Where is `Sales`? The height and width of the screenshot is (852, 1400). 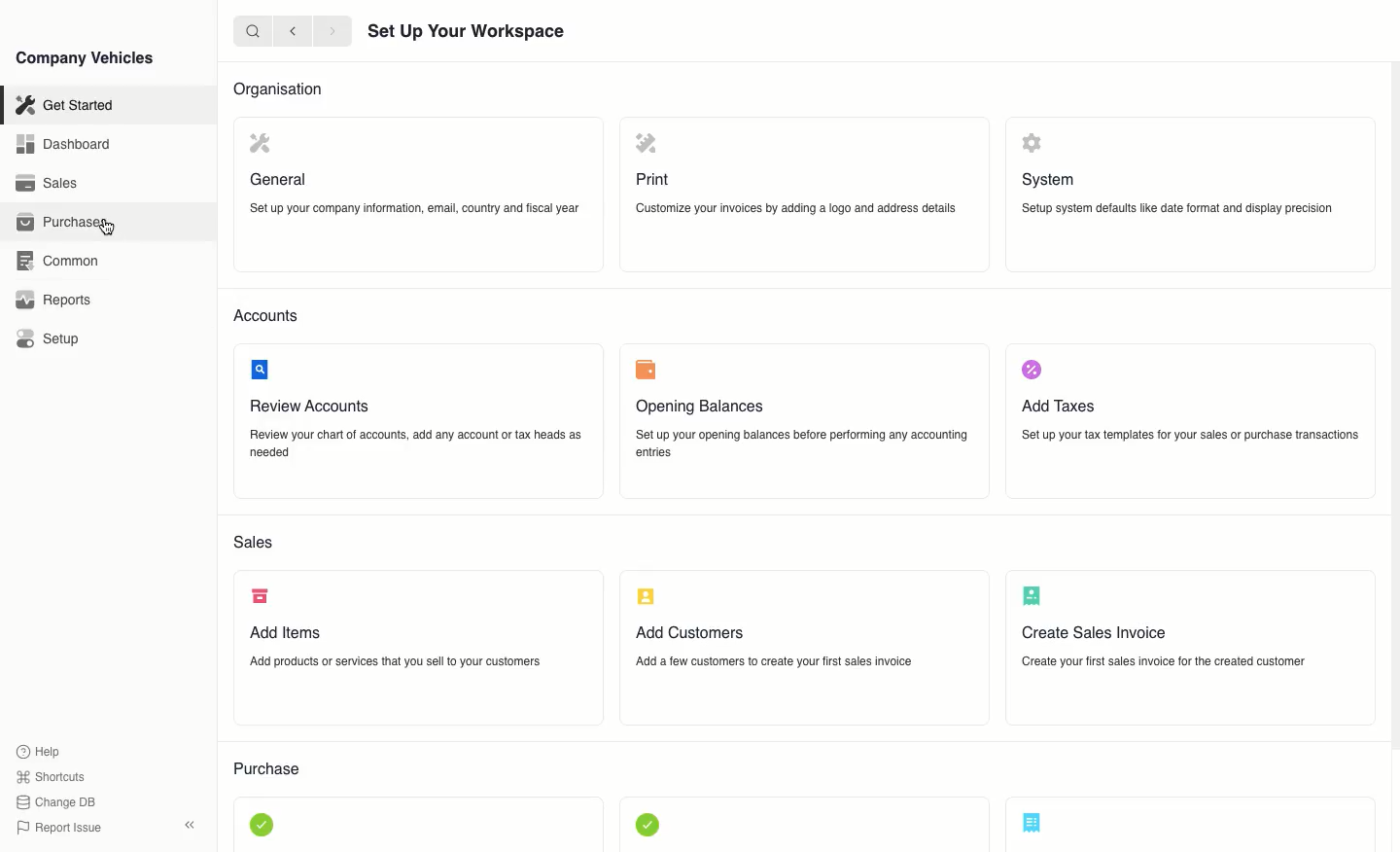 Sales is located at coordinates (48, 184).